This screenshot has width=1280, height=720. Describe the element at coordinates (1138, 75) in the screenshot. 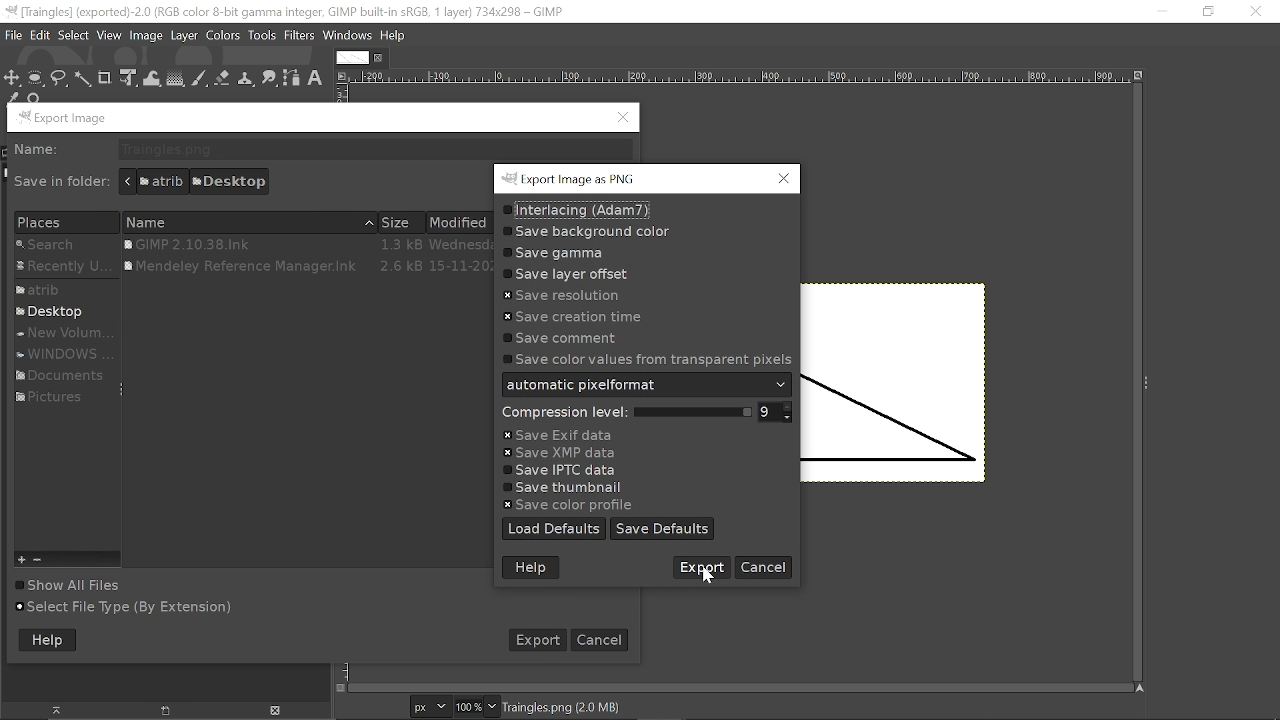

I see `Zoom image when window size changes` at that location.